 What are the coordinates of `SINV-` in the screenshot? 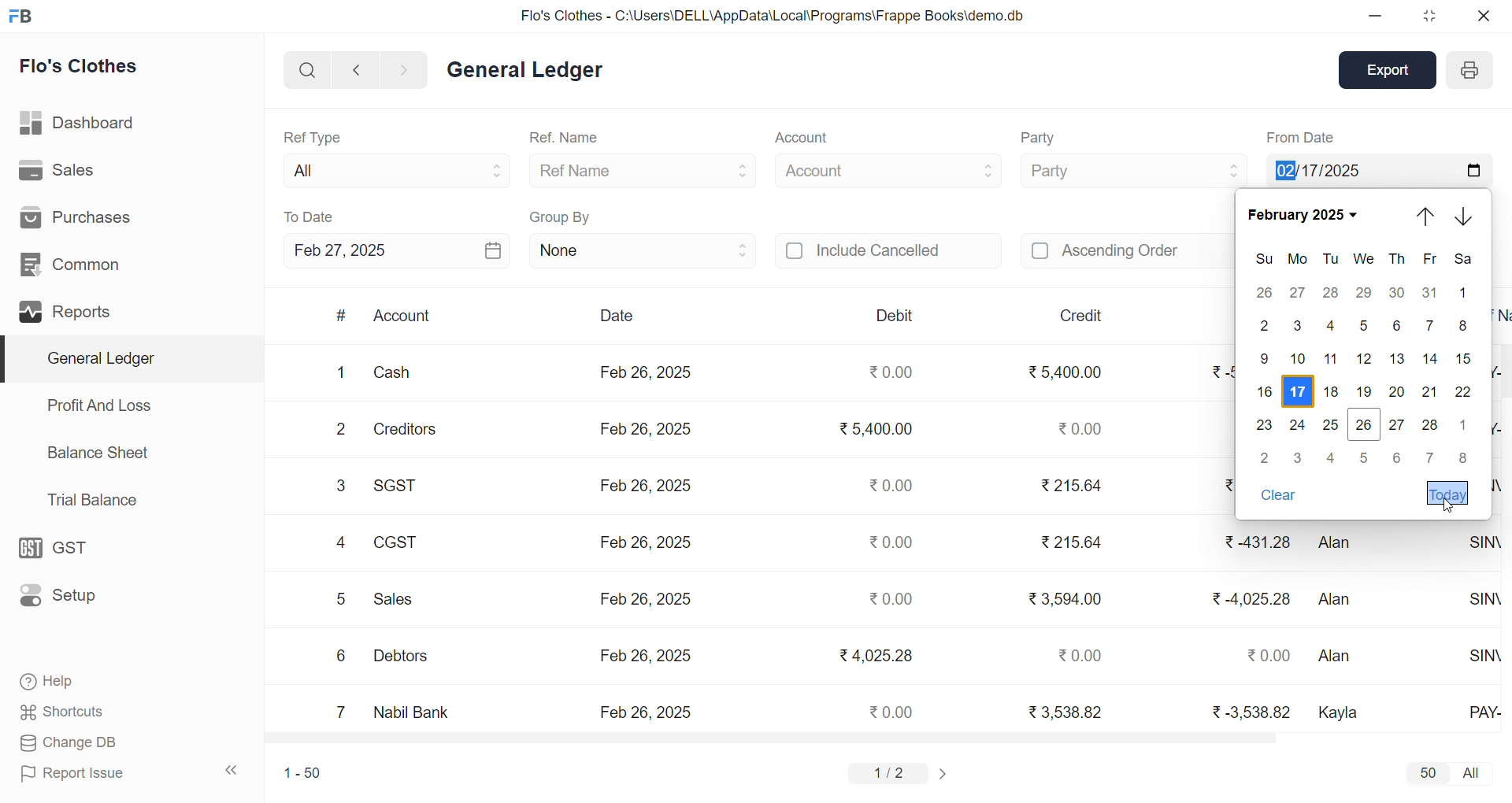 It's located at (1484, 542).